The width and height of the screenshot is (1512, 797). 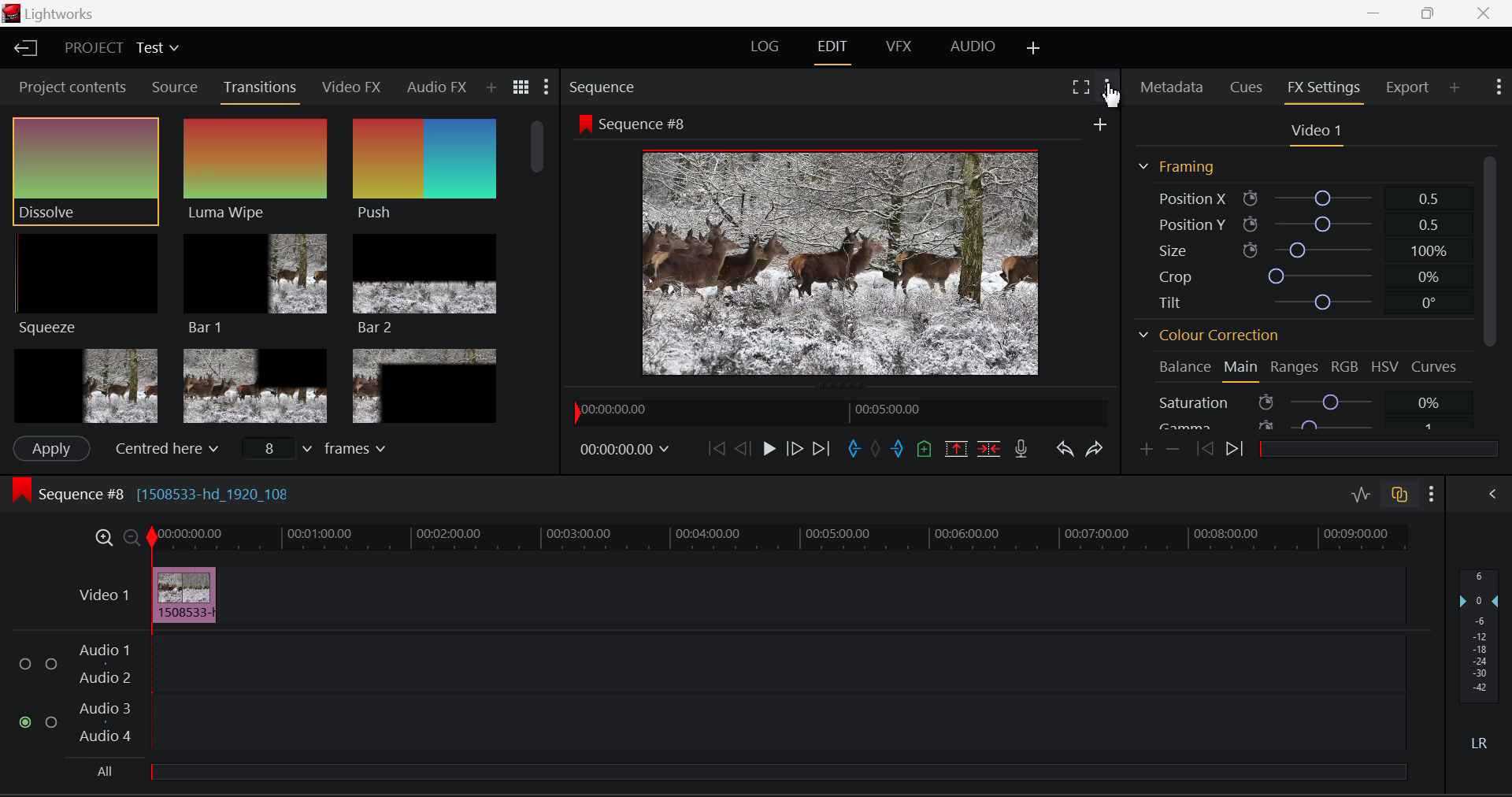 What do you see at coordinates (639, 124) in the screenshot?
I see `Sequence #8` at bounding box center [639, 124].